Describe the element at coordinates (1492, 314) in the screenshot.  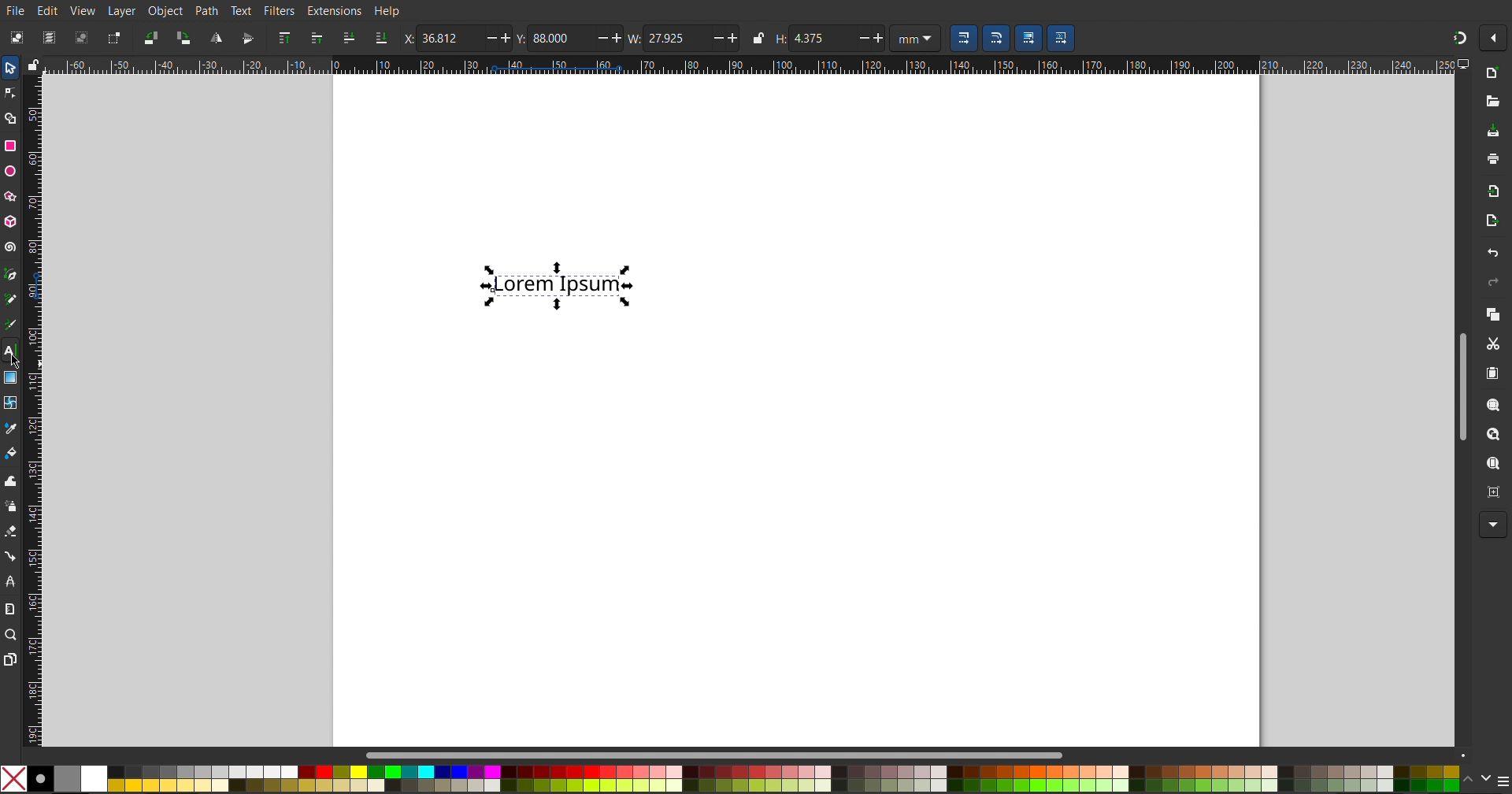
I see `Copy` at that location.